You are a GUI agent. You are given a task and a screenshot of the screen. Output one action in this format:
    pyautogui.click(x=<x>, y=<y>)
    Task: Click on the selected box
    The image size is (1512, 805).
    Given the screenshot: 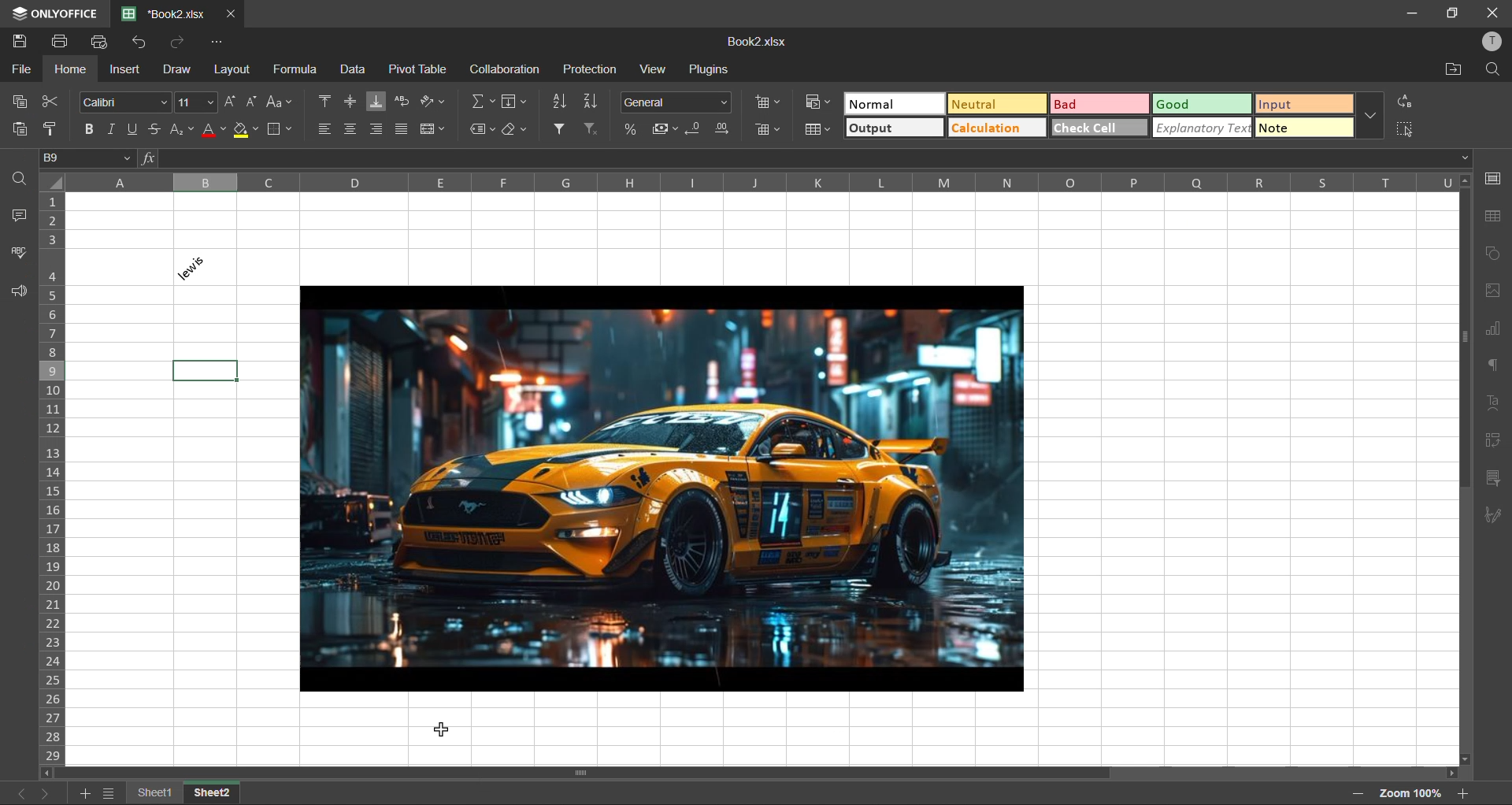 What is the action you would take?
    pyautogui.click(x=206, y=370)
    